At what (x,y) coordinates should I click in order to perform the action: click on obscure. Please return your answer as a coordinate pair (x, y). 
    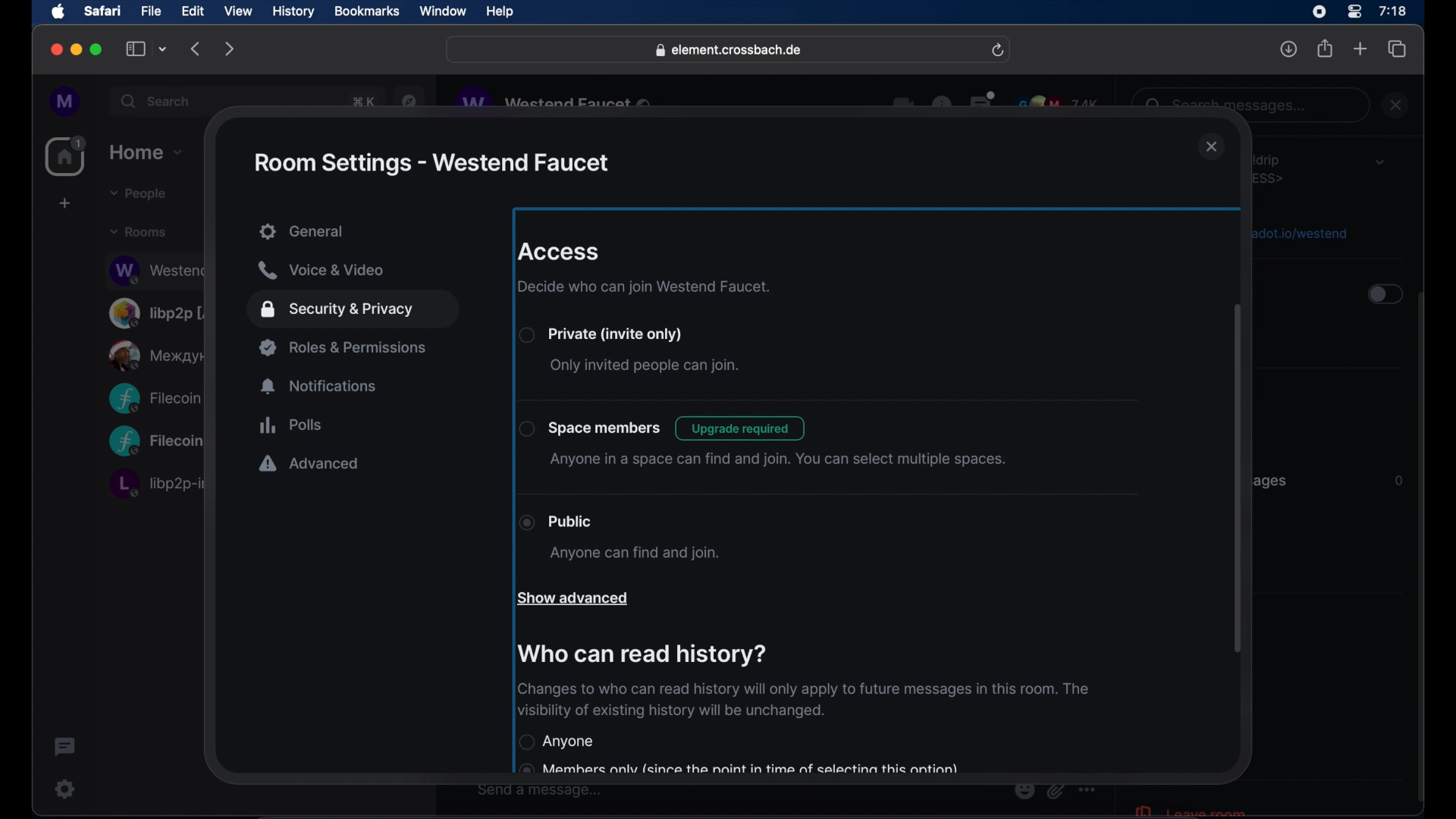
    Looking at the image, I should click on (556, 101).